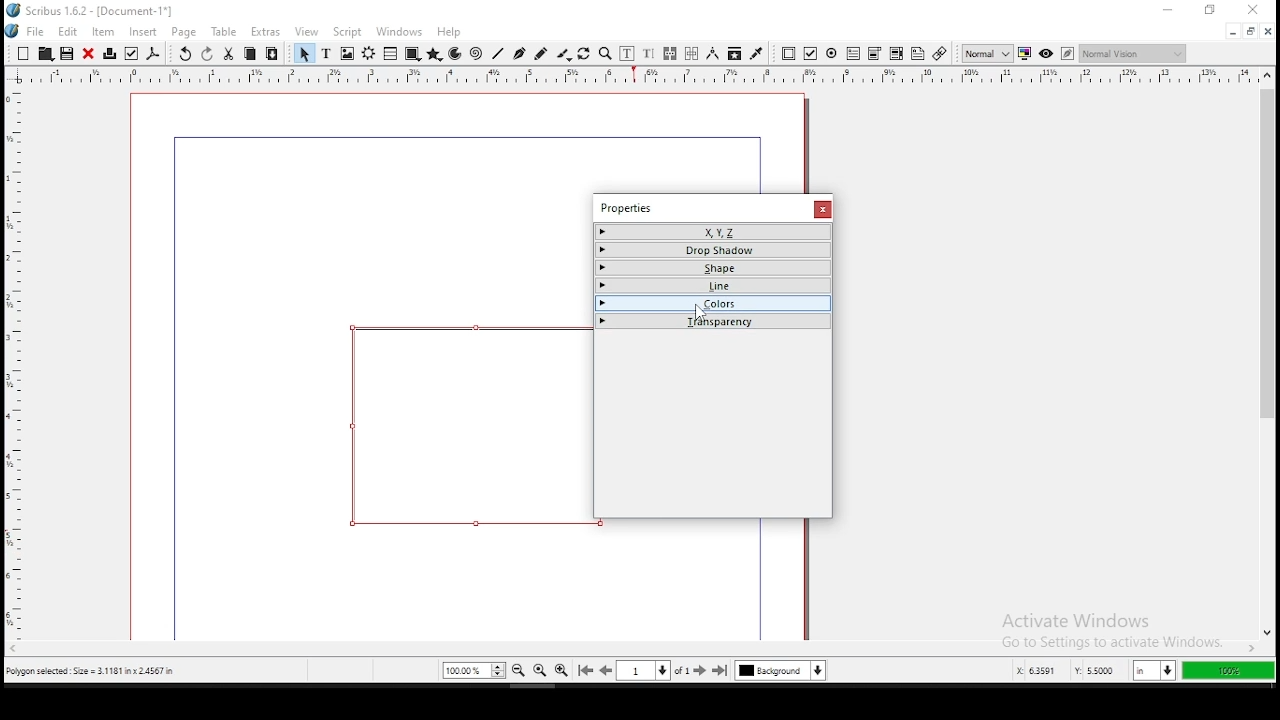 This screenshot has height=720, width=1280. I want to click on polygon selected size= 3.1181 inch x 2.4567 in, so click(94, 670).